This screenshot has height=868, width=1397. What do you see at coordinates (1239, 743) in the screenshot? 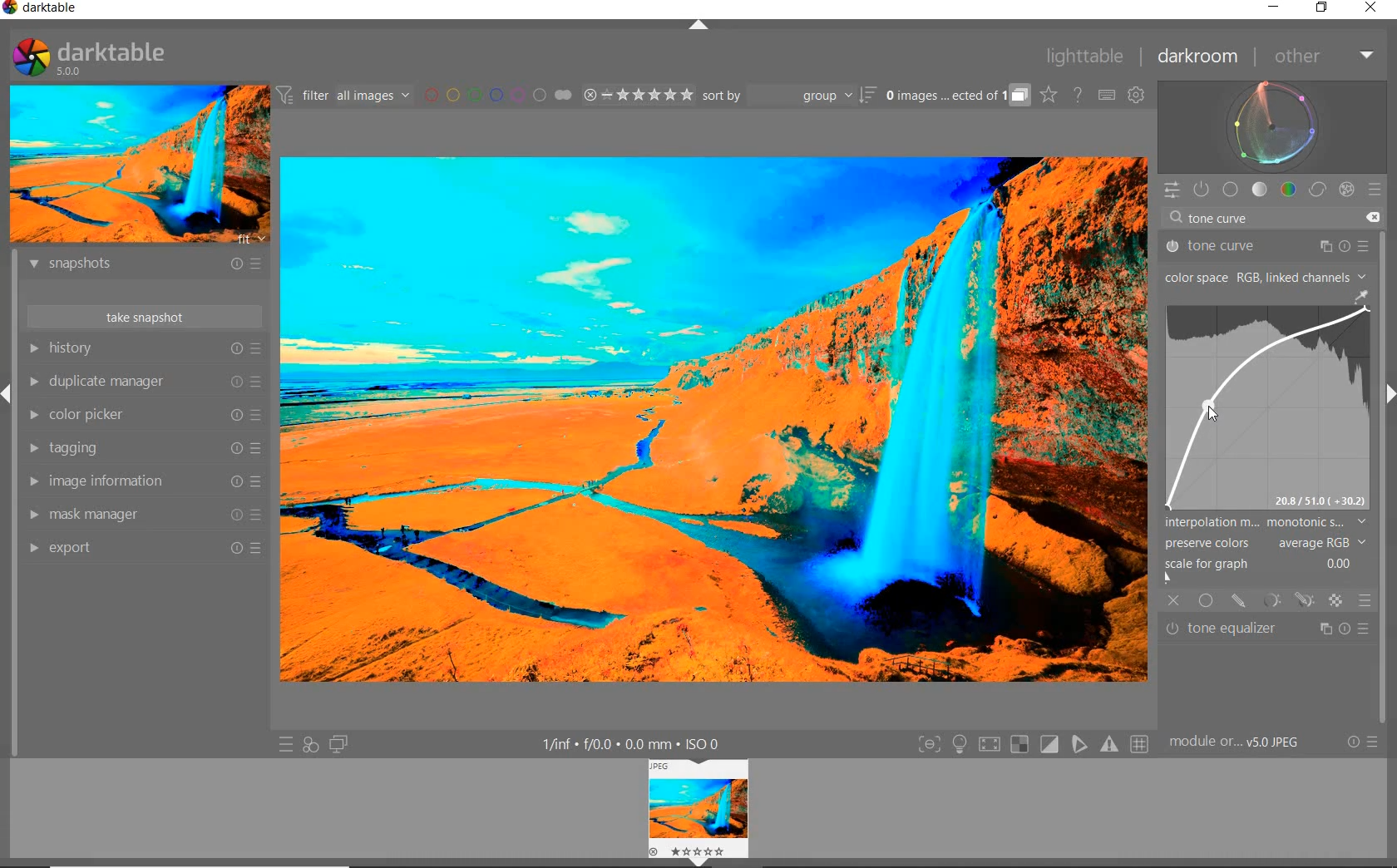
I see `MODULE...v5.0 JPEG` at bounding box center [1239, 743].